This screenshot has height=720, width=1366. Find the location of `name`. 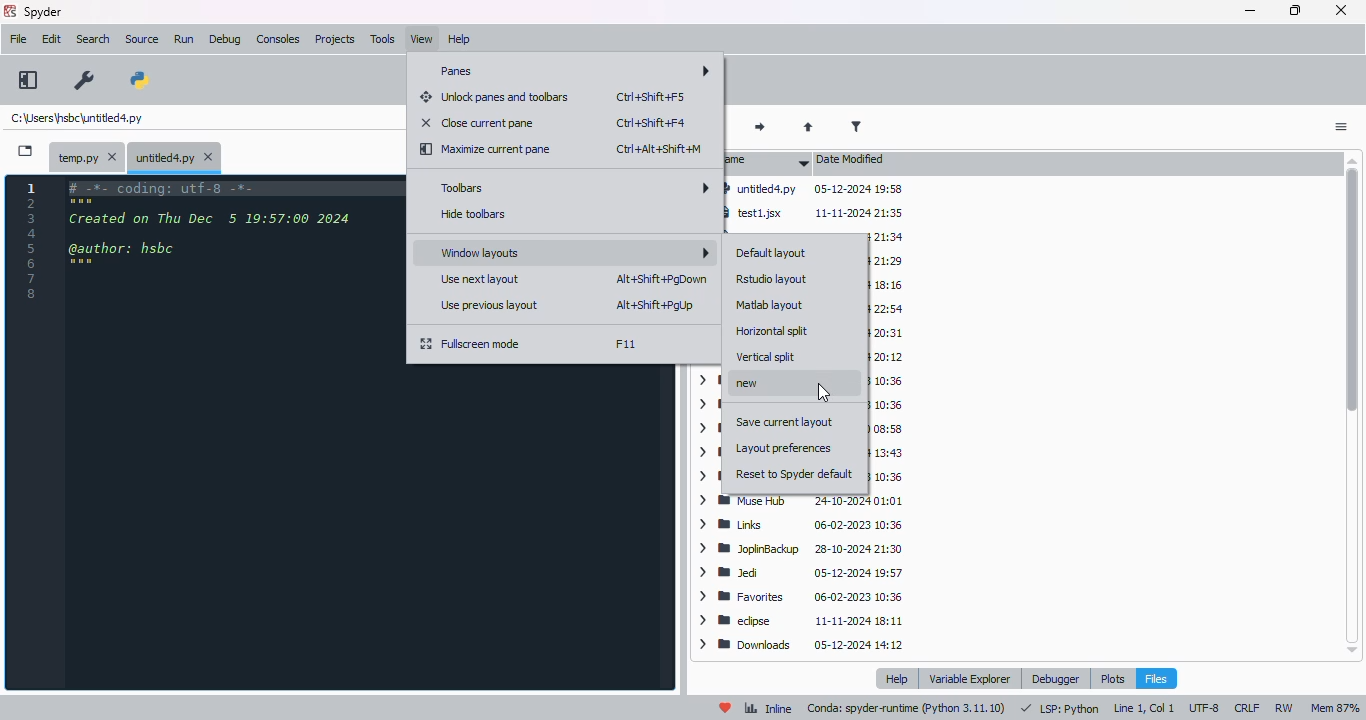

name is located at coordinates (766, 161).